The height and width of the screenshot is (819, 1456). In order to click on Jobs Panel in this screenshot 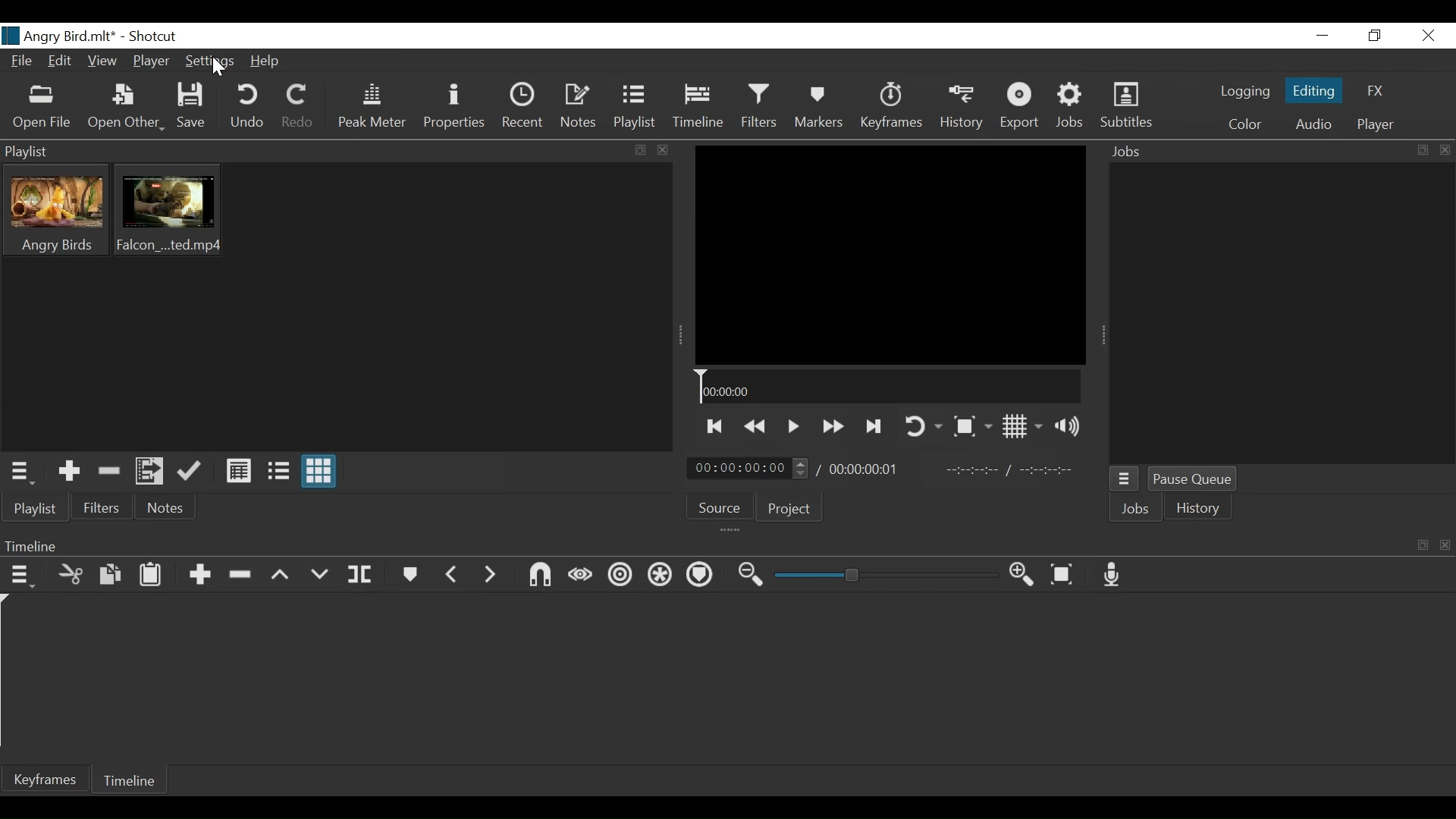, I will do `click(1278, 152)`.